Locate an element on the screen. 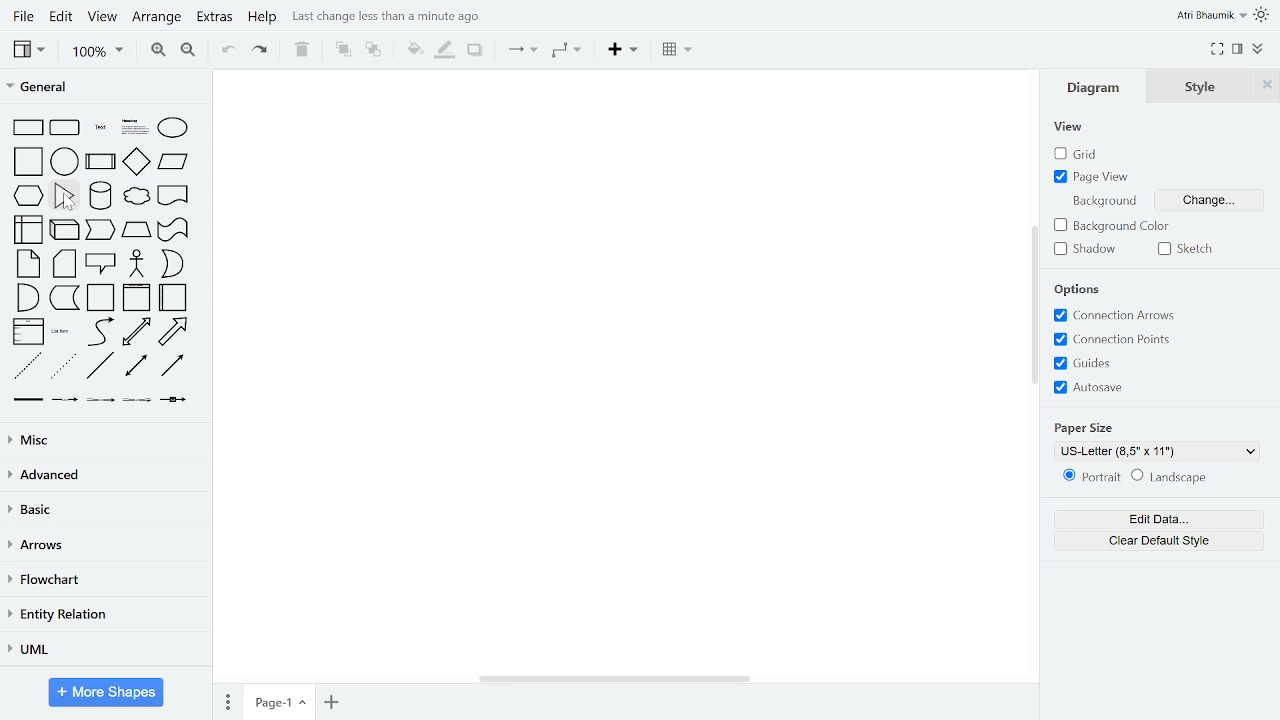  tape is located at coordinates (171, 232).